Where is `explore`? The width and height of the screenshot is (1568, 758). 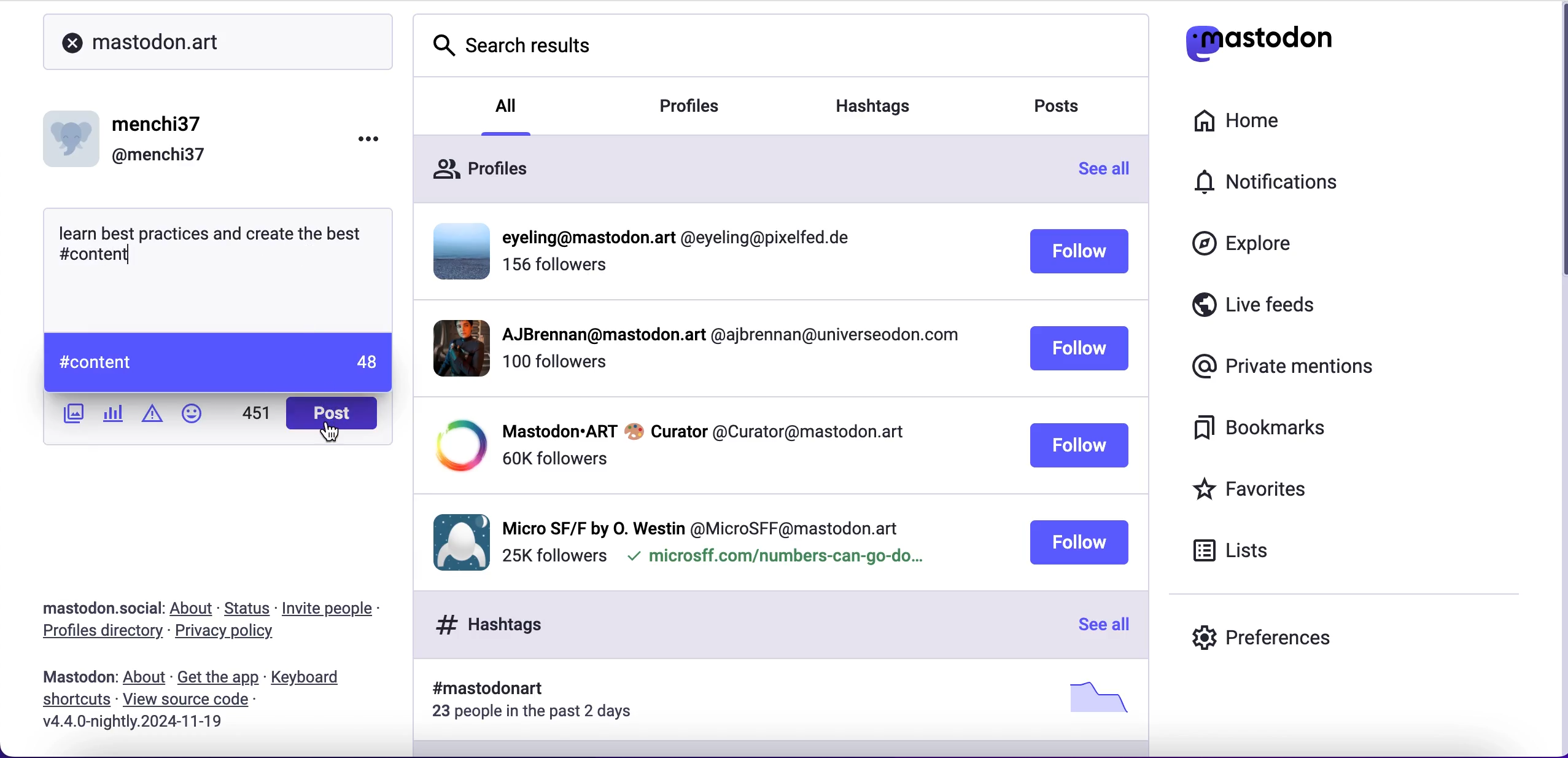 explore is located at coordinates (1246, 249).